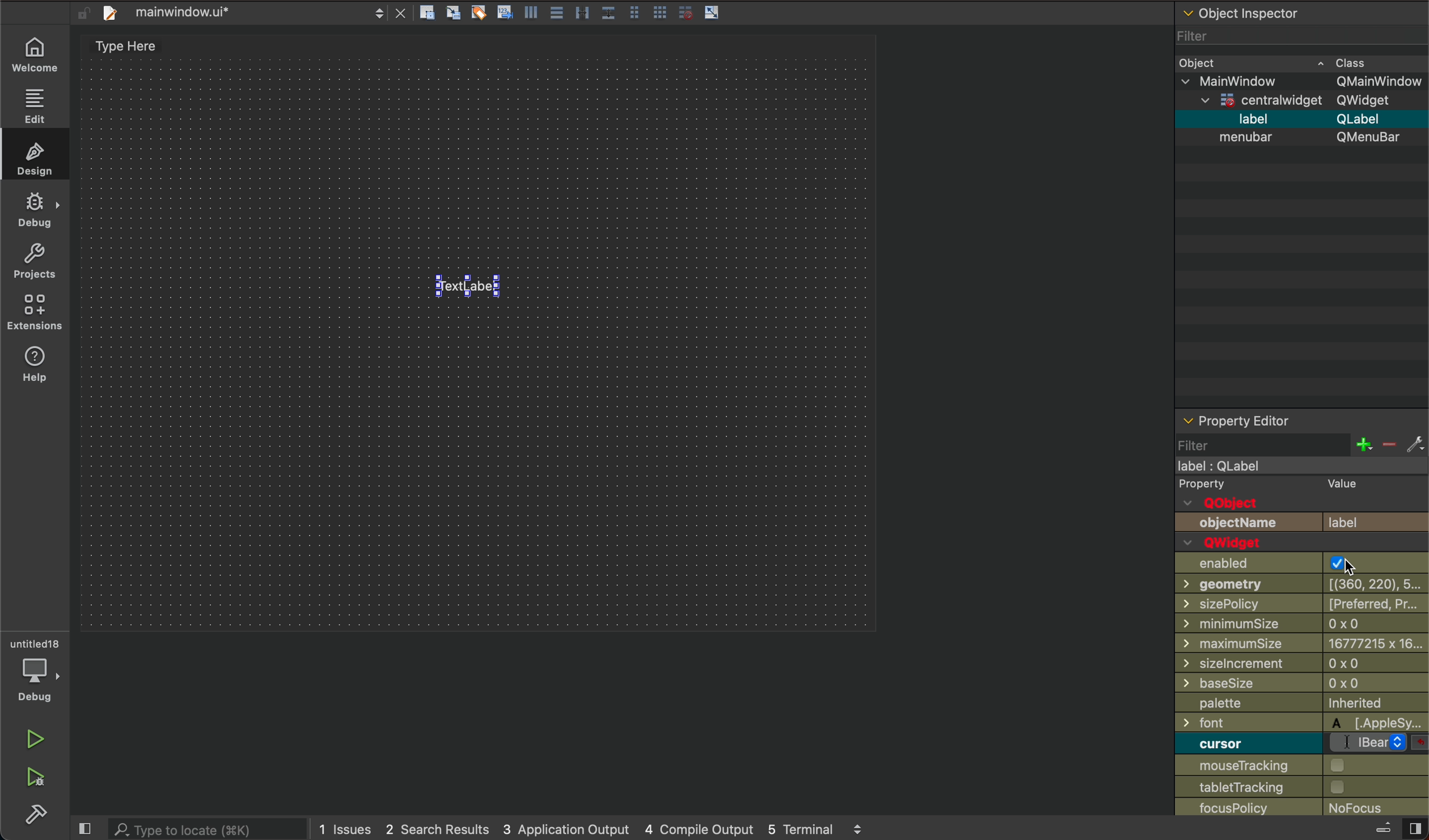 This screenshot has height=840, width=1429. Describe the element at coordinates (1214, 443) in the screenshot. I see `filter` at that location.